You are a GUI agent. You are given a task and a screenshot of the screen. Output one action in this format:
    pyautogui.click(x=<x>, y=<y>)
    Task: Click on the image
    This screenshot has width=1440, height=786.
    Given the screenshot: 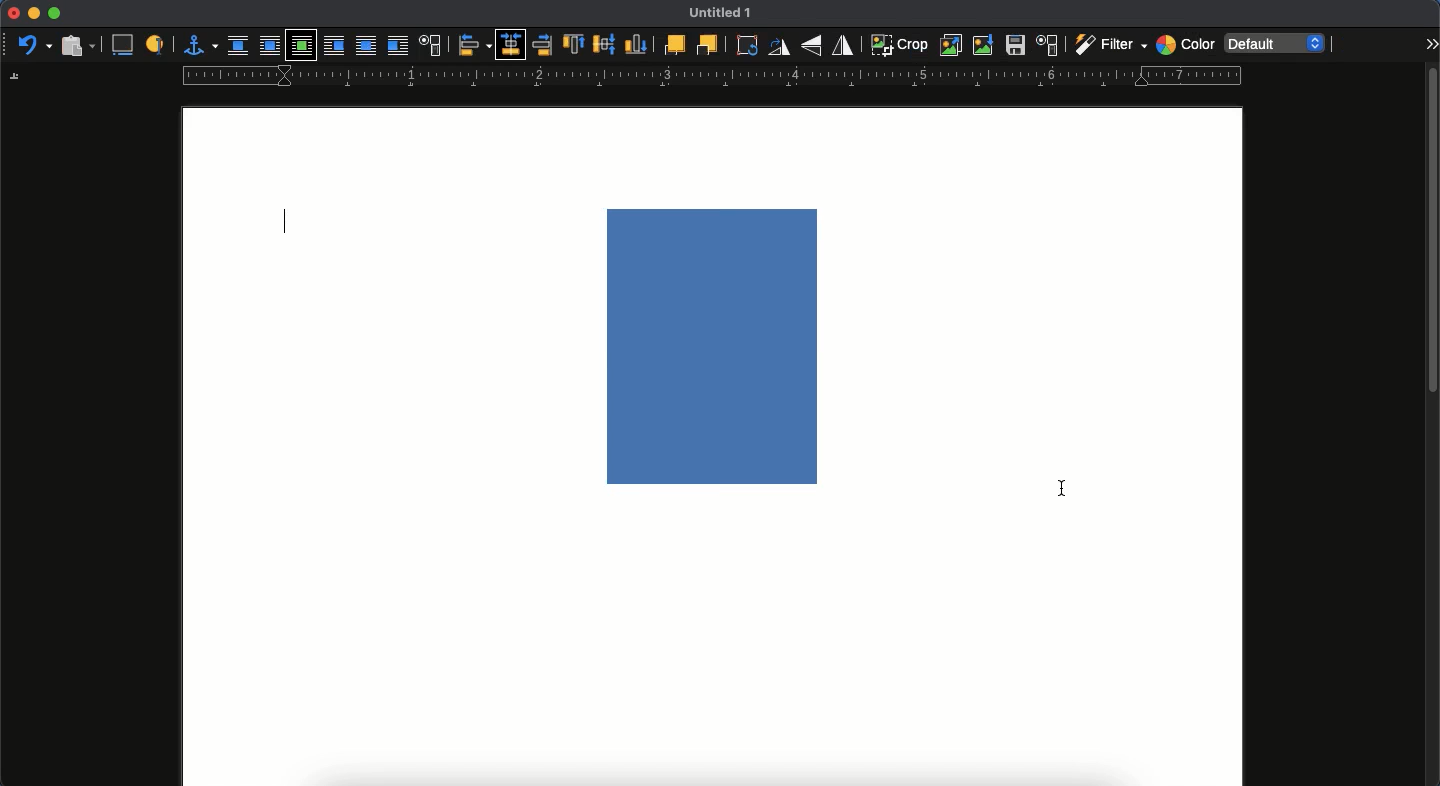 What is the action you would take?
    pyautogui.click(x=715, y=353)
    